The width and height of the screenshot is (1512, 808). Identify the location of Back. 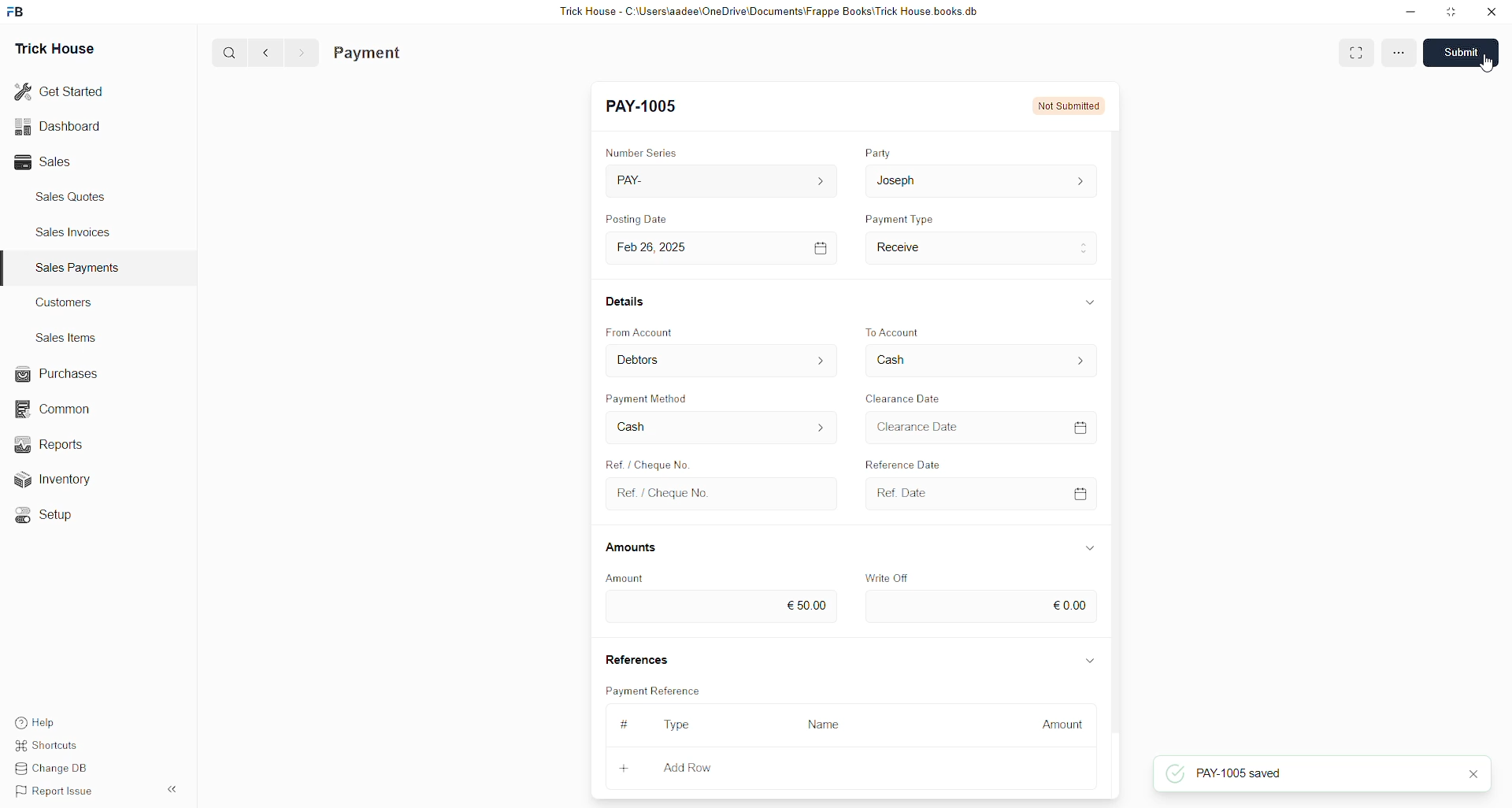
(266, 54).